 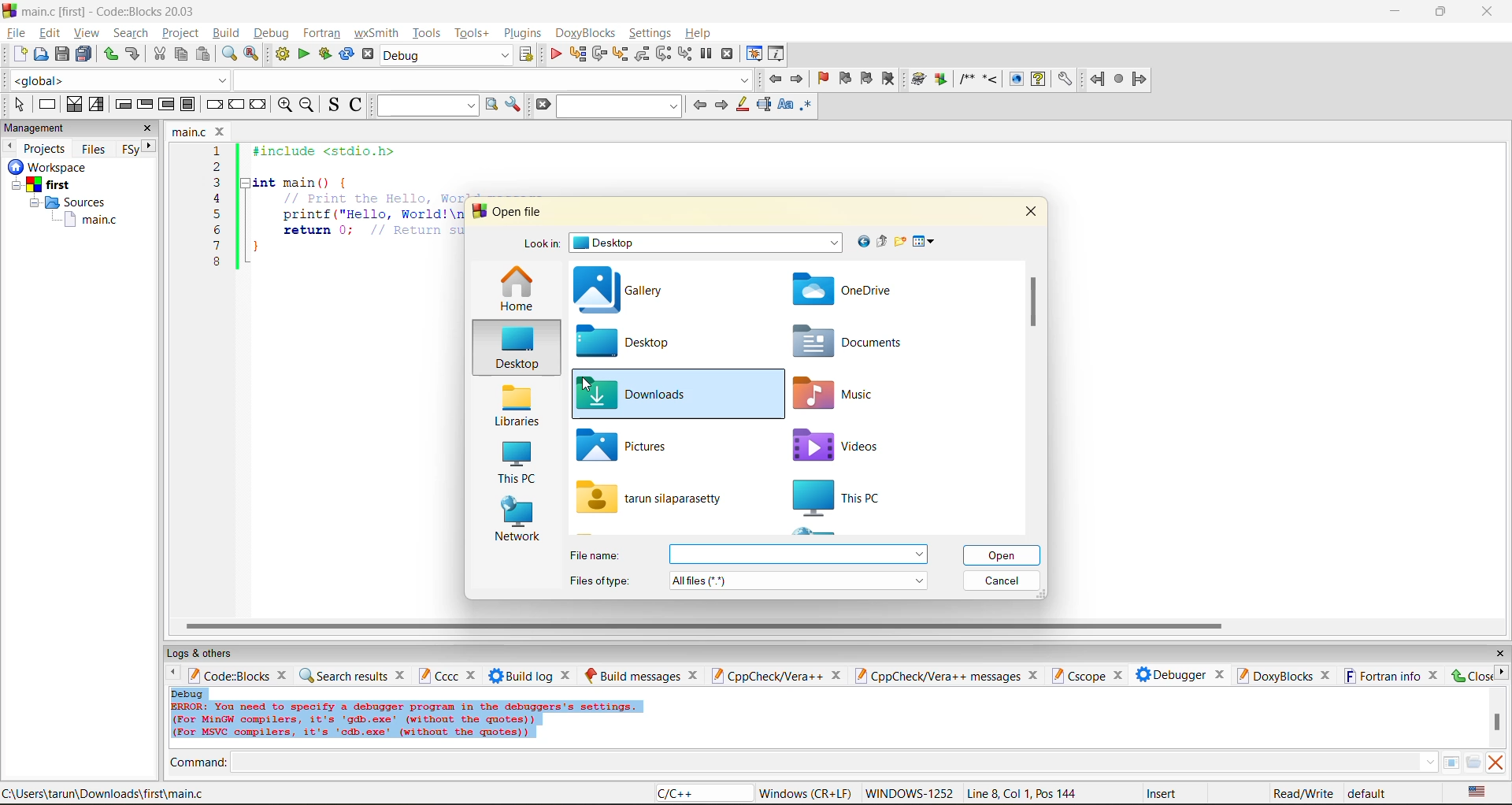 What do you see at coordinates (619, 54) in the screenshot?
I see `step into` at bounding box center [619, 54].